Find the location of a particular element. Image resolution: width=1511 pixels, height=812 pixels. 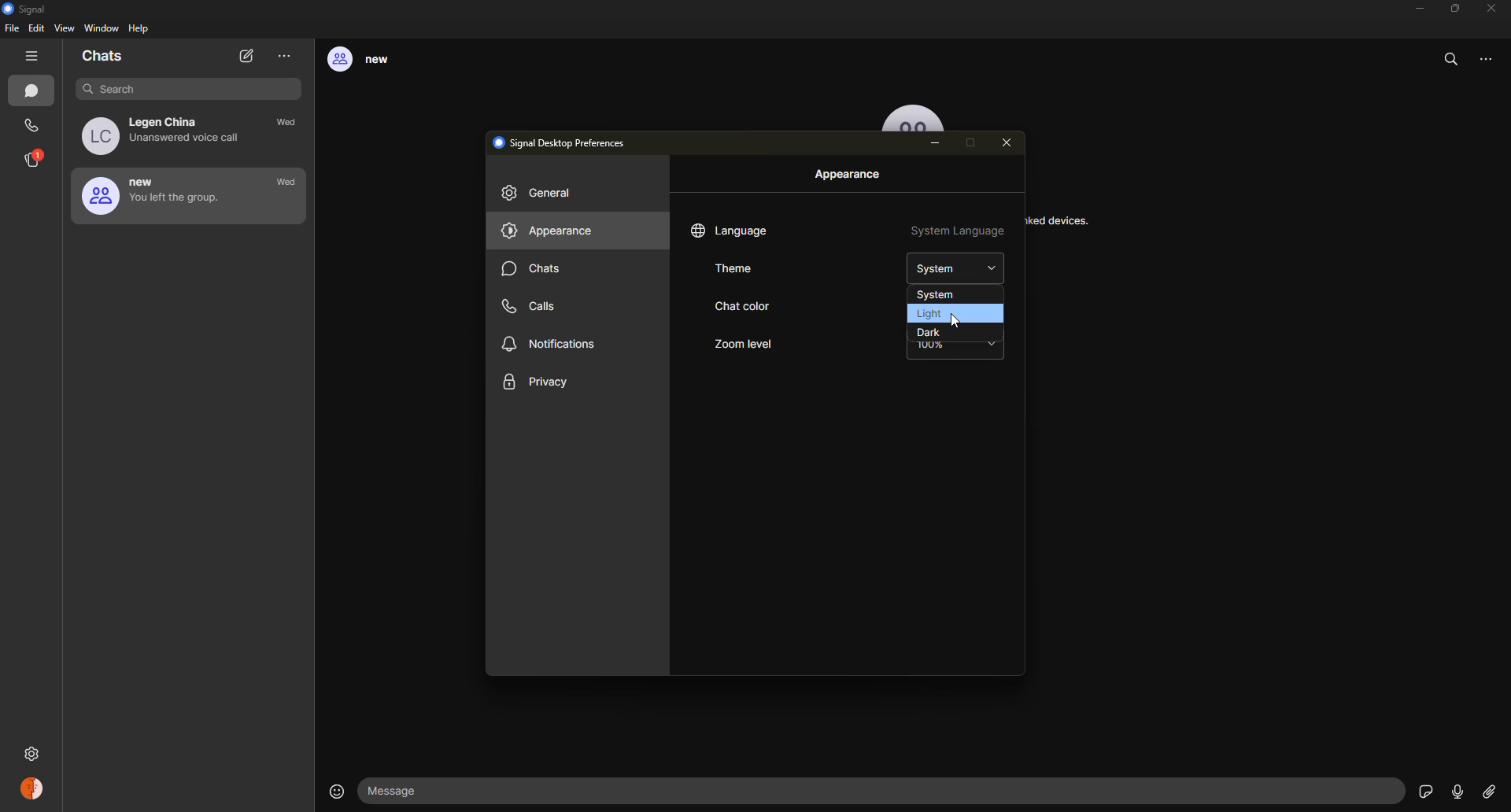

Legen China is located at coordinates (168, 135).